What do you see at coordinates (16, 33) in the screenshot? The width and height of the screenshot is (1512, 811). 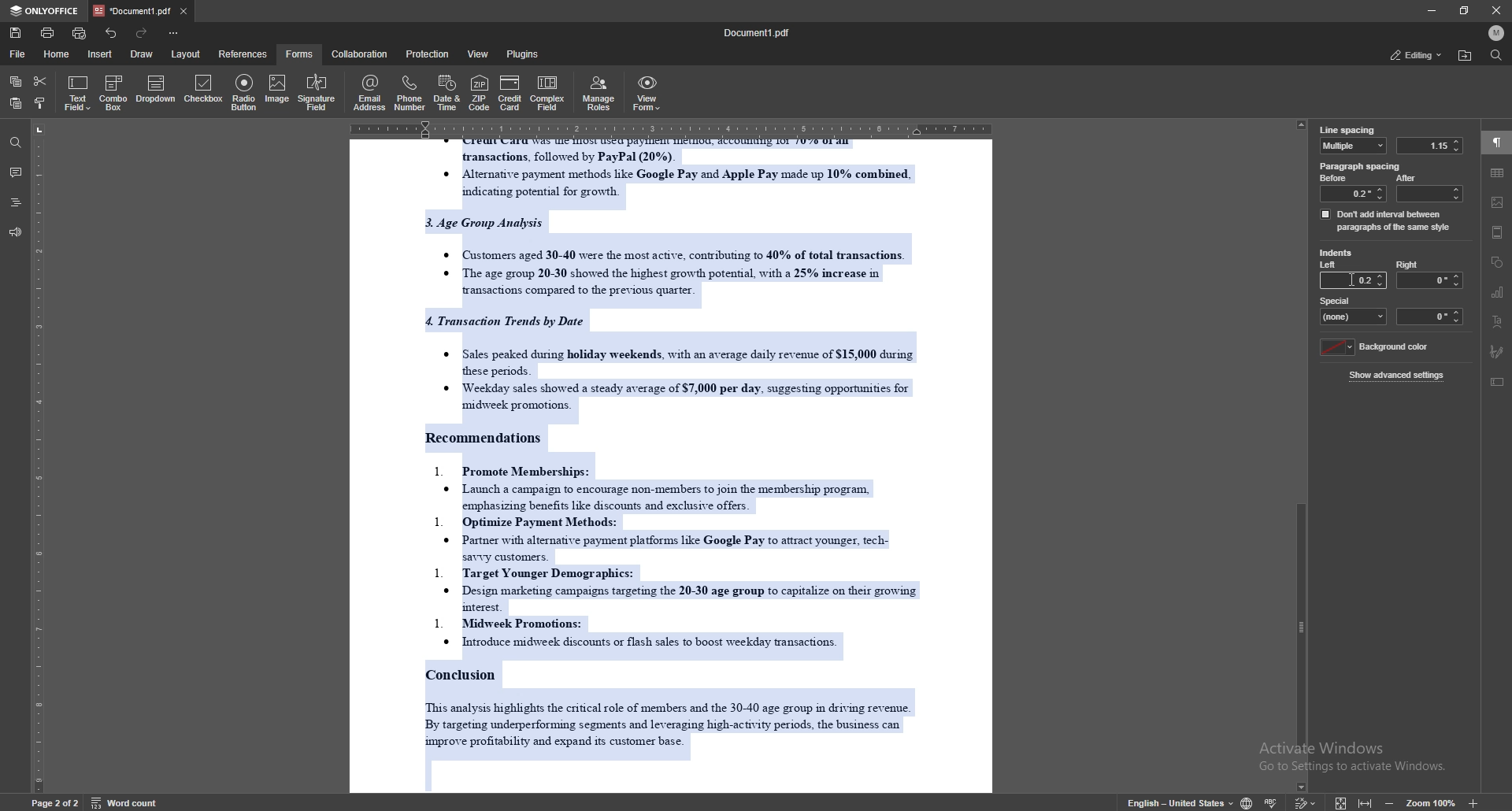 I see `save` at bounding box center [16, 33].